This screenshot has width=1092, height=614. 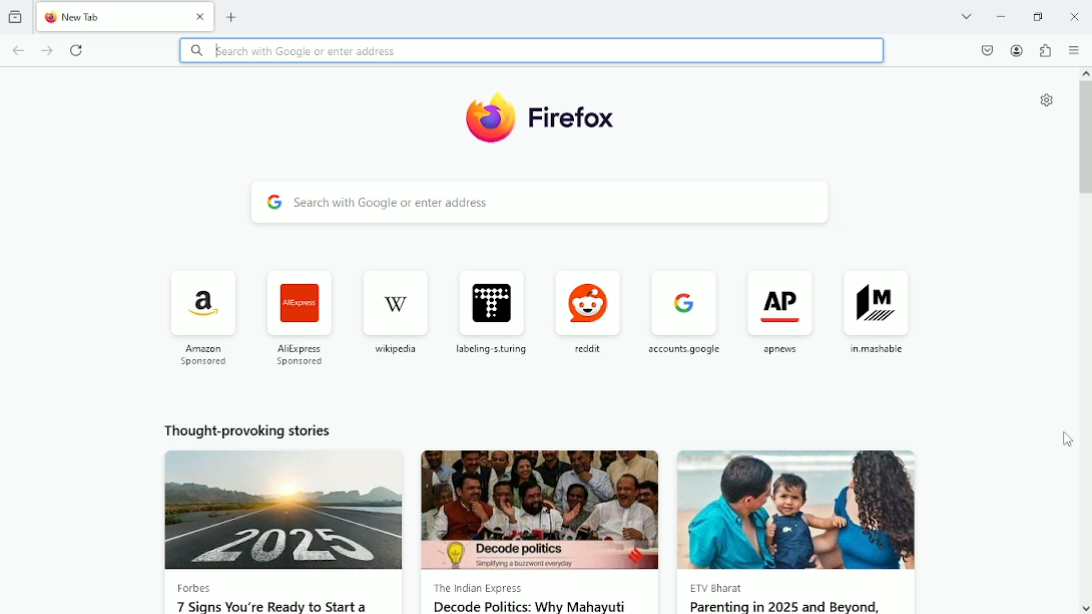 I want to click on Close, so click(x=1074, y=16).